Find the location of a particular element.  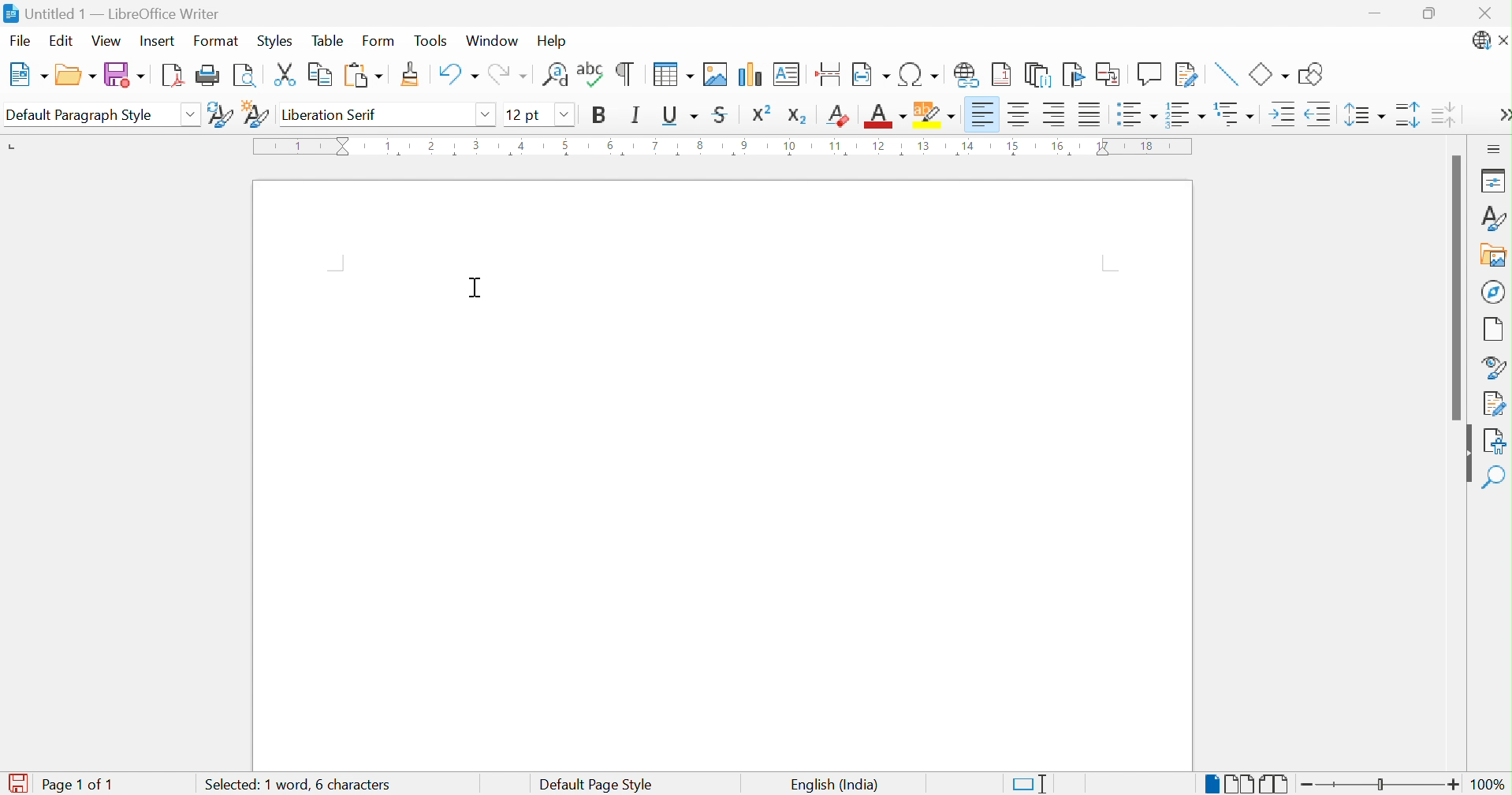

Undo is located at coordinates (456, 75).